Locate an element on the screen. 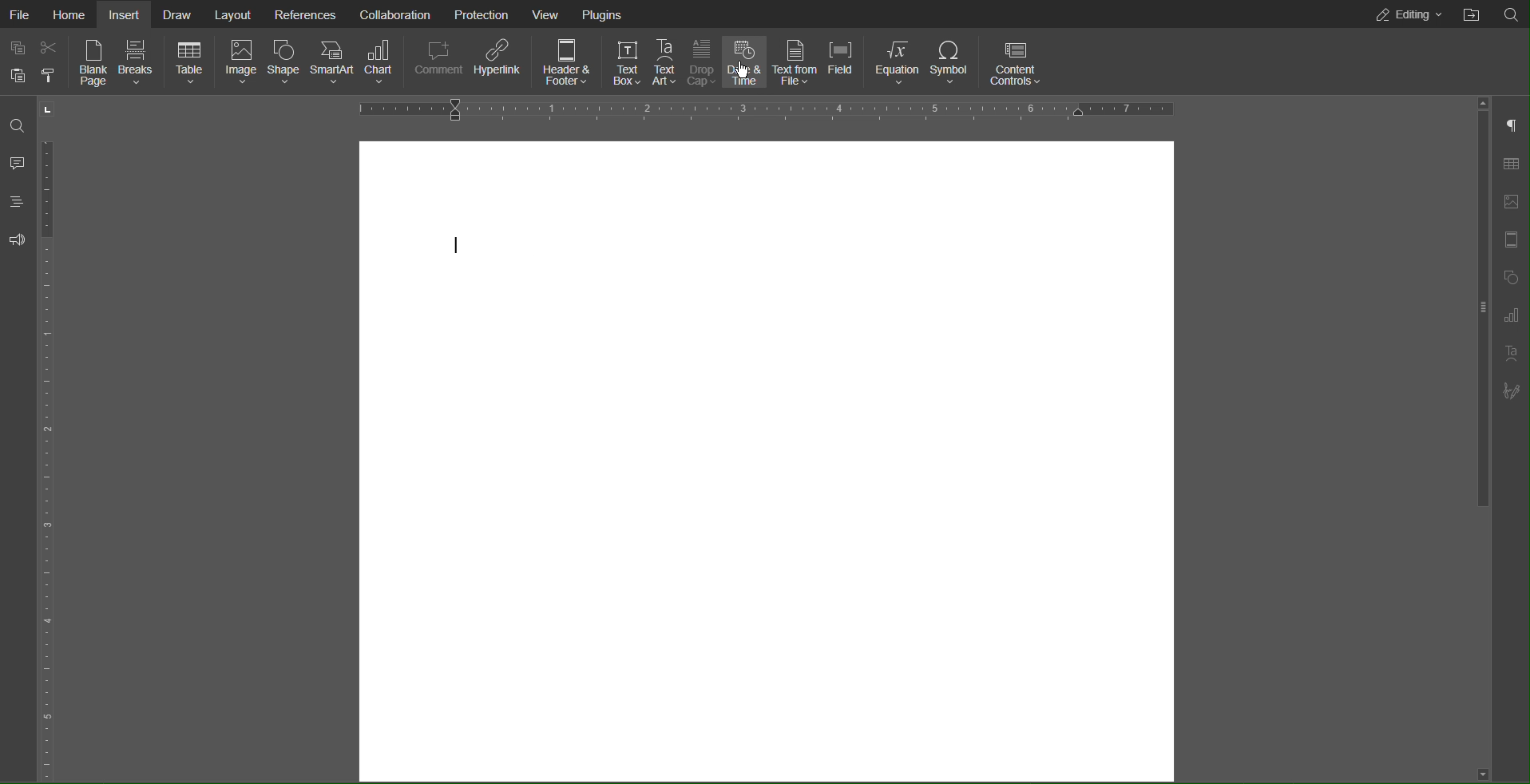 The image size is (1530, 784). Text Box is located at coordinates (624, 60).